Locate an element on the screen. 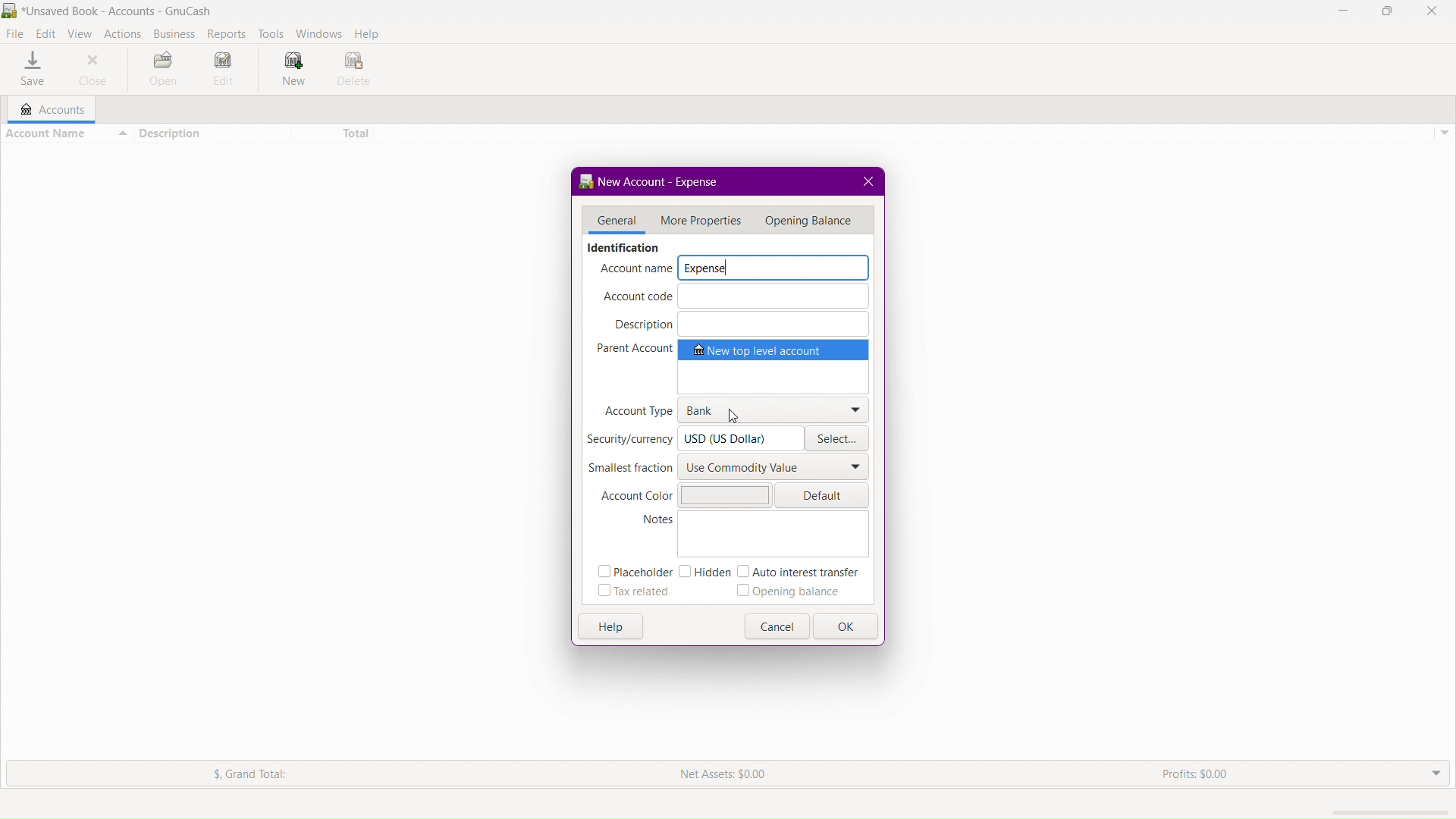  Tax related is located at coordinates (634, 593).